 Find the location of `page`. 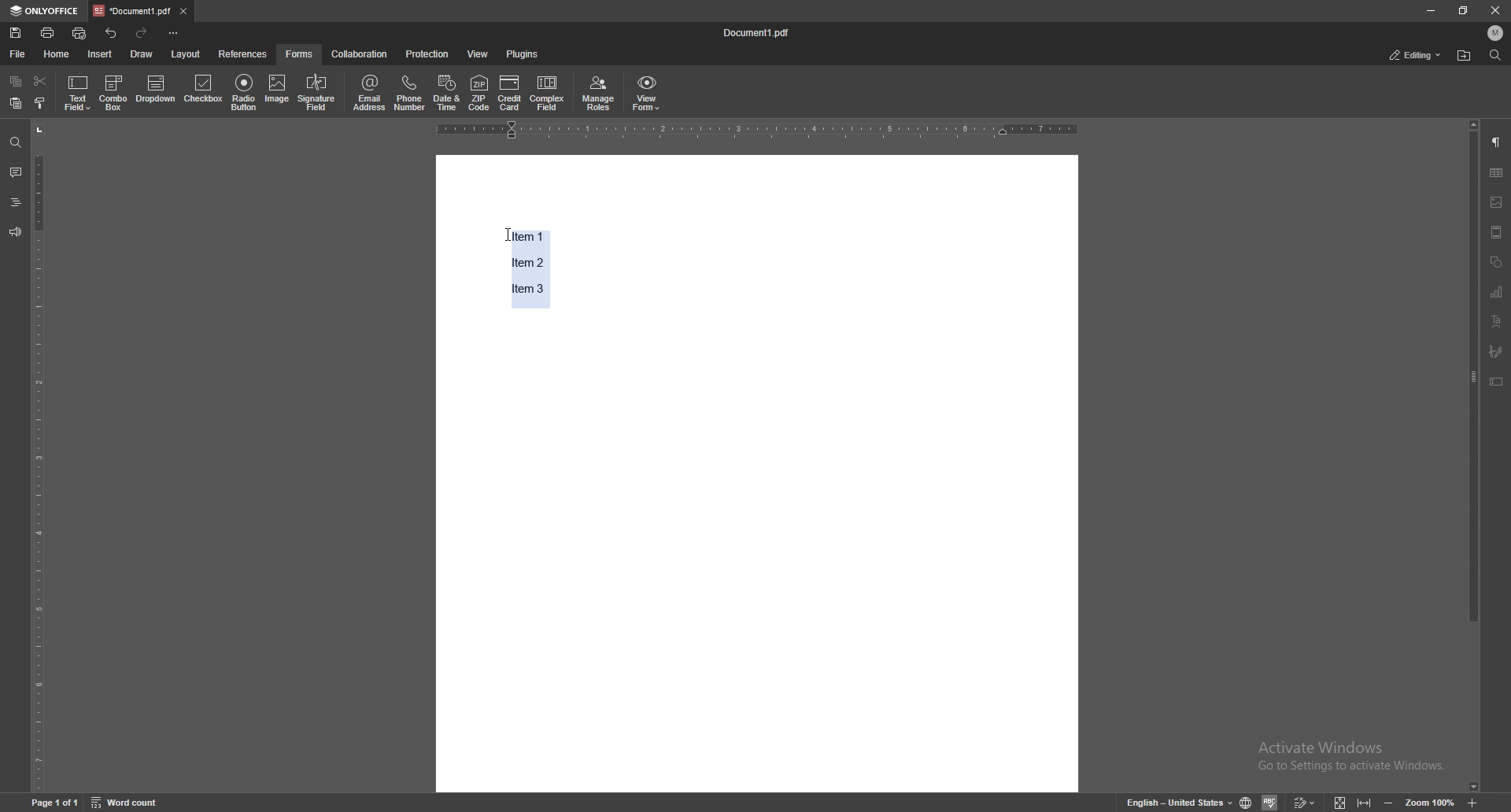

page is located at coordinates (54, 802).